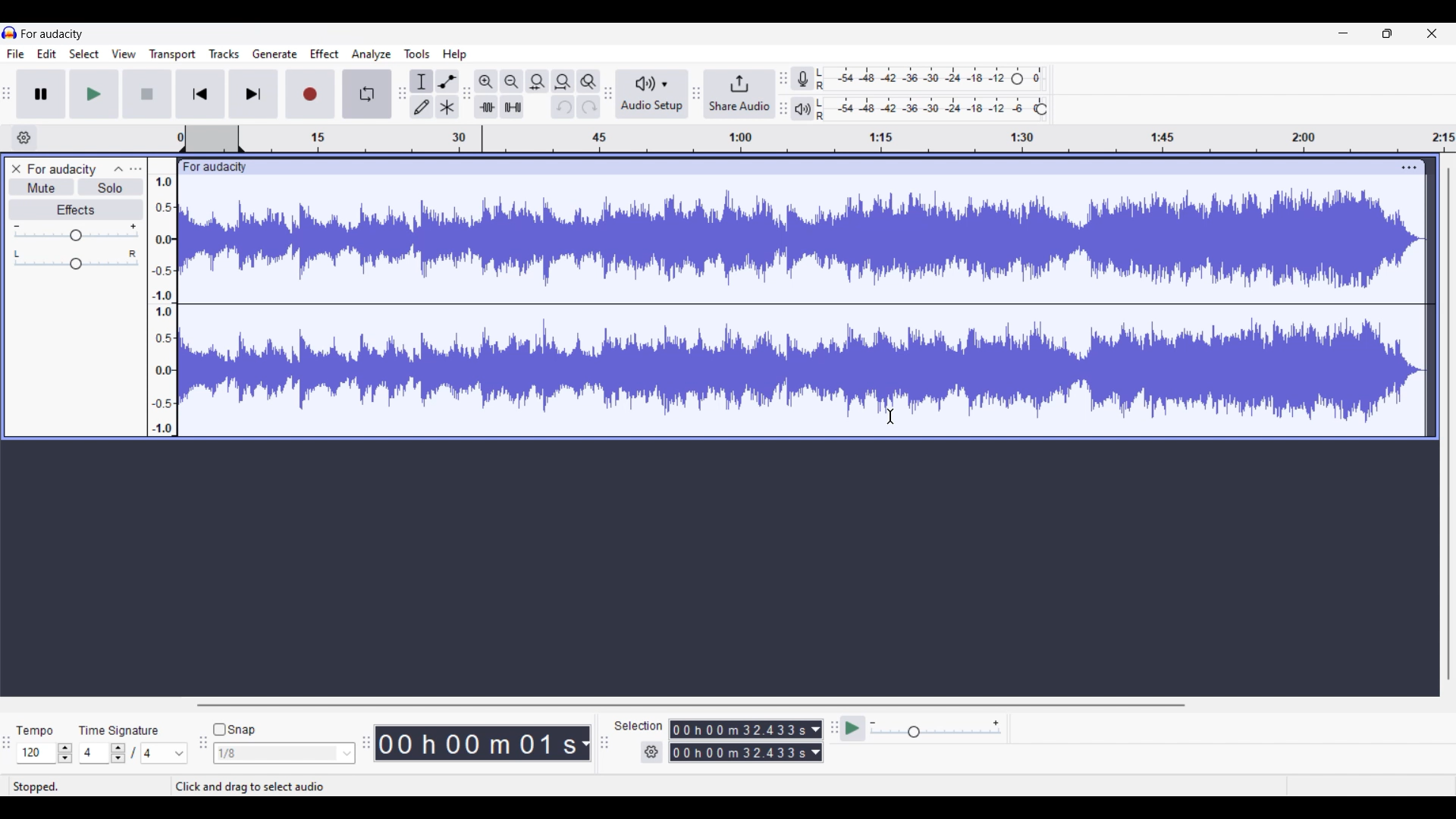 The width and height of the screenshot is (1456, 819). I want to click on Current timestamp of track, so click(476, 743).